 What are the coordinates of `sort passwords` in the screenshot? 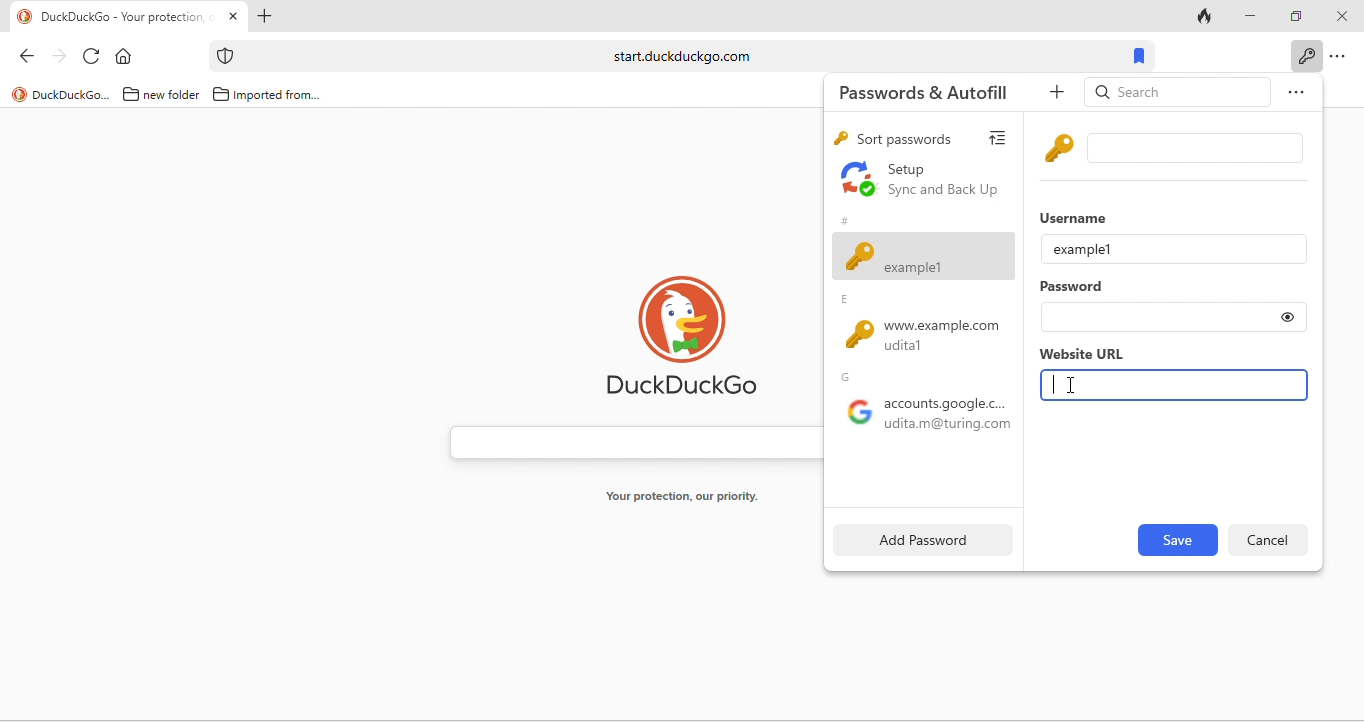 It's located at (905, 139).